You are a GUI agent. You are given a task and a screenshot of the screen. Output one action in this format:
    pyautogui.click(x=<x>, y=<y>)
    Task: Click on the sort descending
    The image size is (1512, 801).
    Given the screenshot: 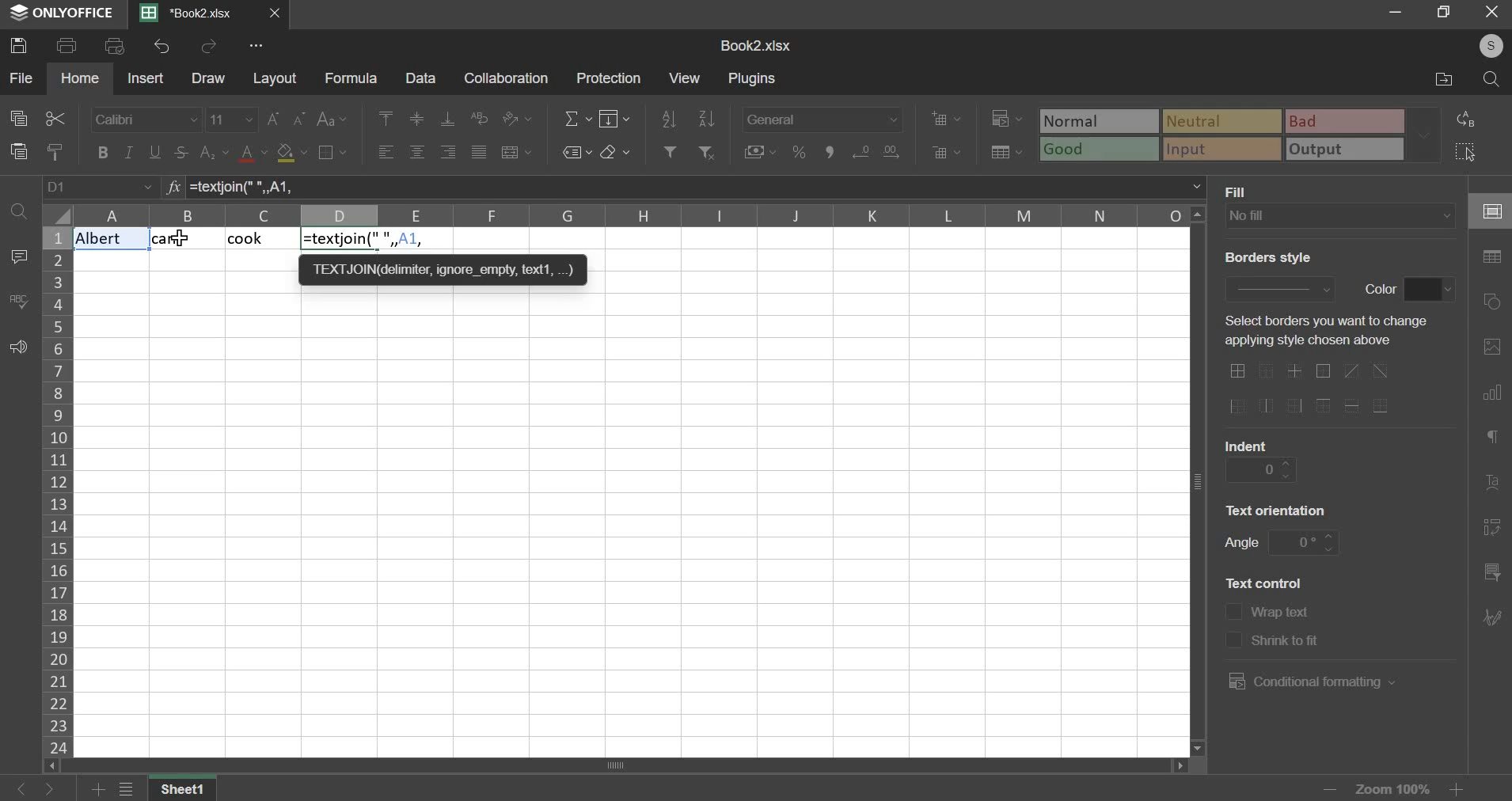 What is the action you would take?
    pyautogui.click(x=706, y=118)
    